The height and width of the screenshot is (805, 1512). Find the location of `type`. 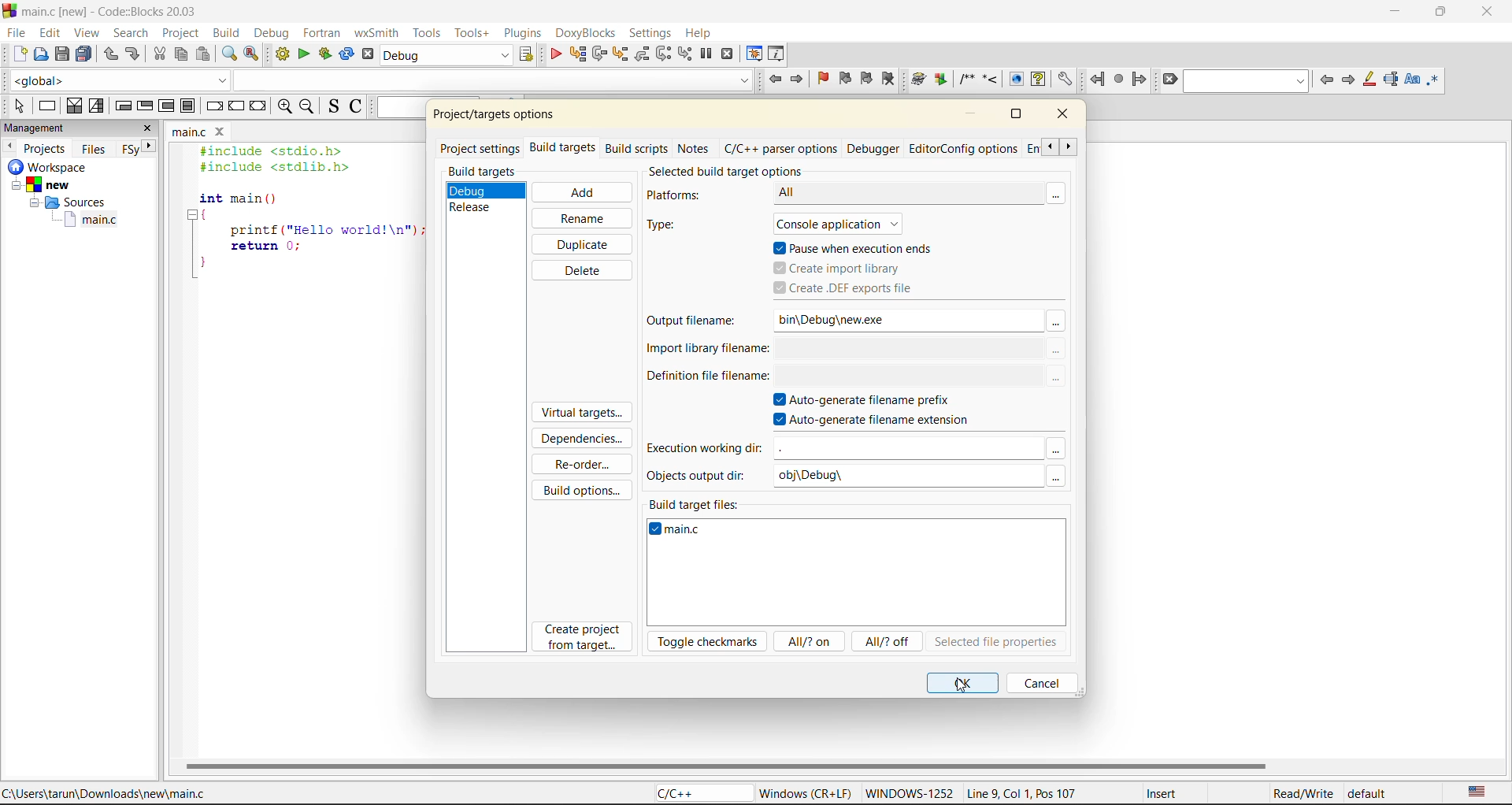

type is located at coordinates (673, 226).